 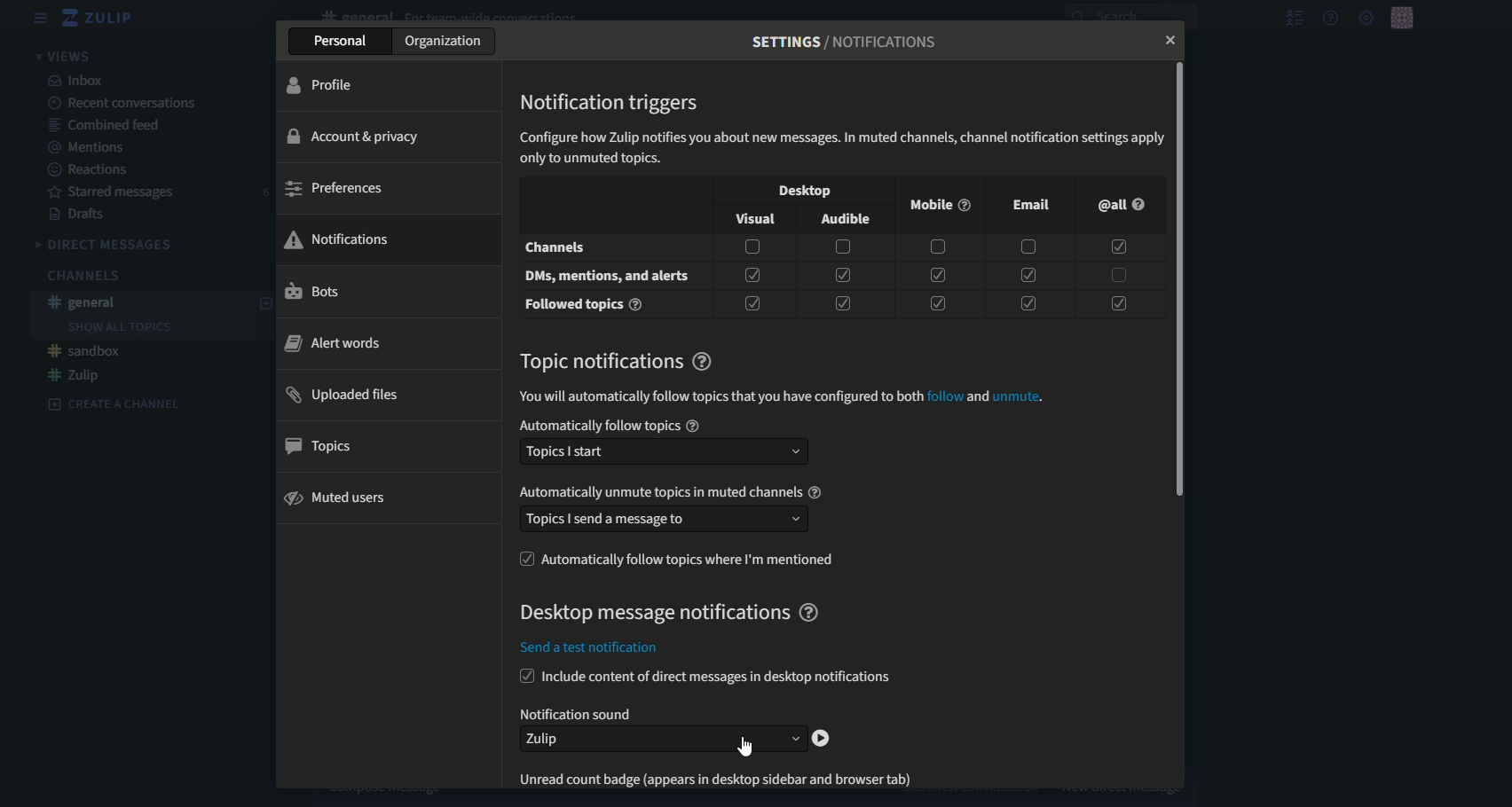 I want to click on mobile, so click(x=937, y=206).